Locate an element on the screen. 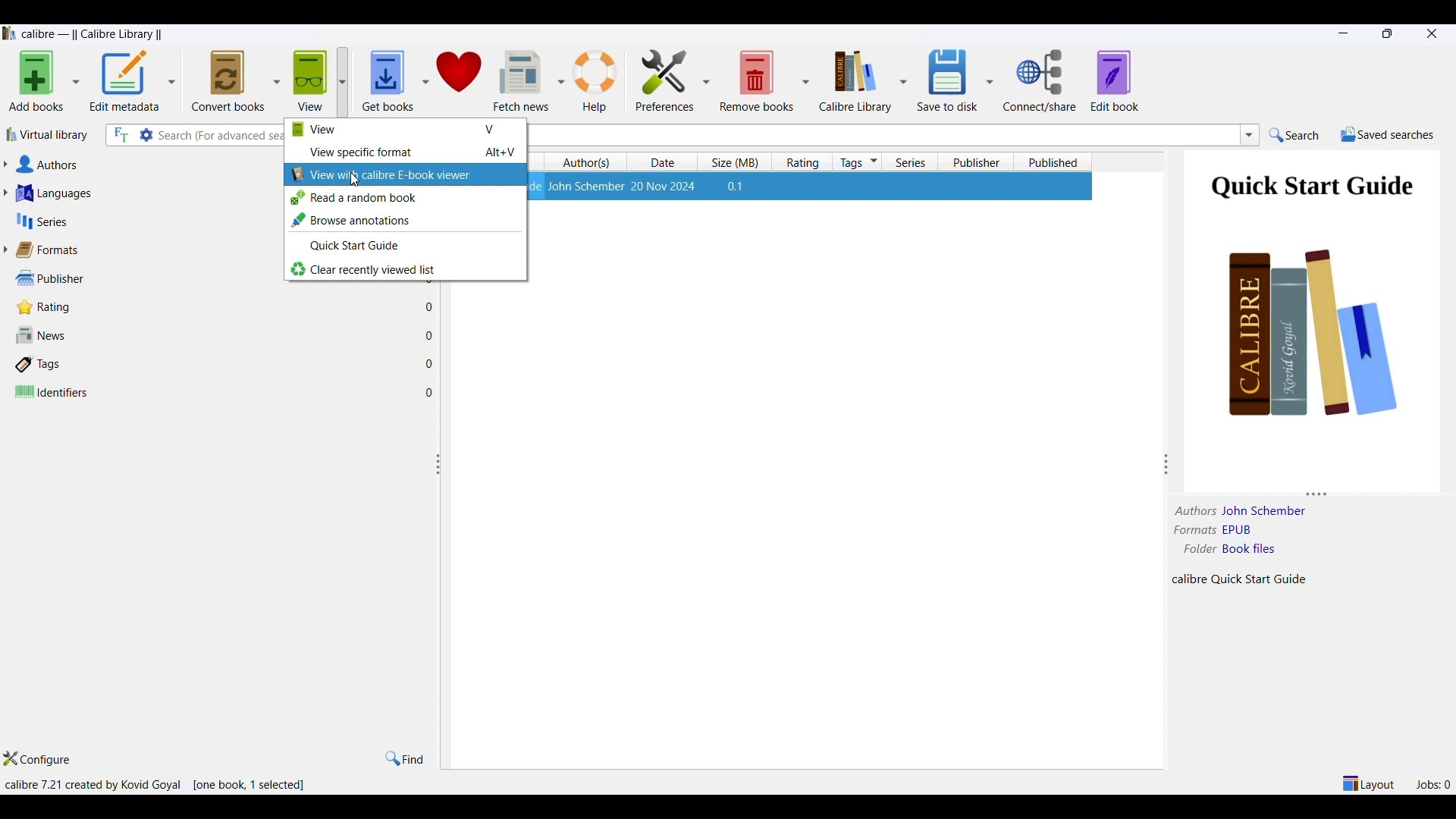 Image resolution: width=1456 pixels, height=819 pixels. help is located at coordinates (598, 80).